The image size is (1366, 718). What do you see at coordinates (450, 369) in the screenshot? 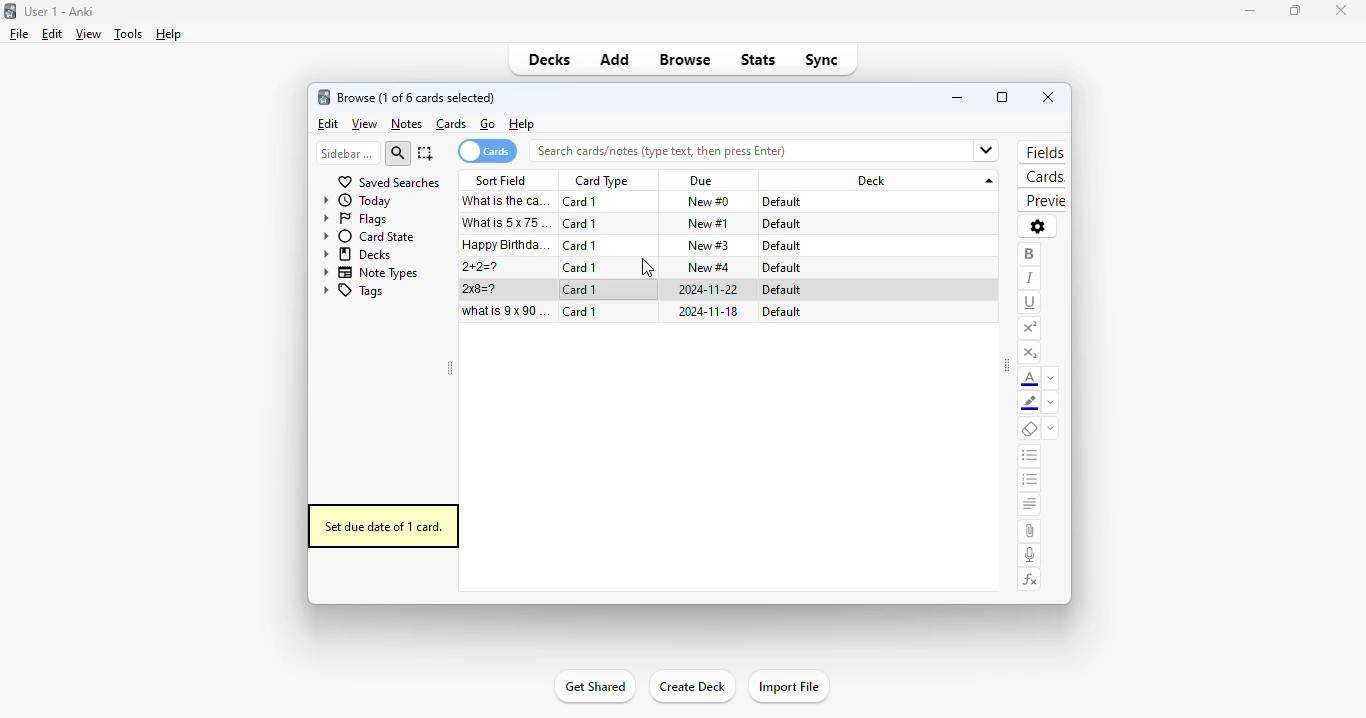
I see `toggle sidebar` at bounding box center [450, 369].